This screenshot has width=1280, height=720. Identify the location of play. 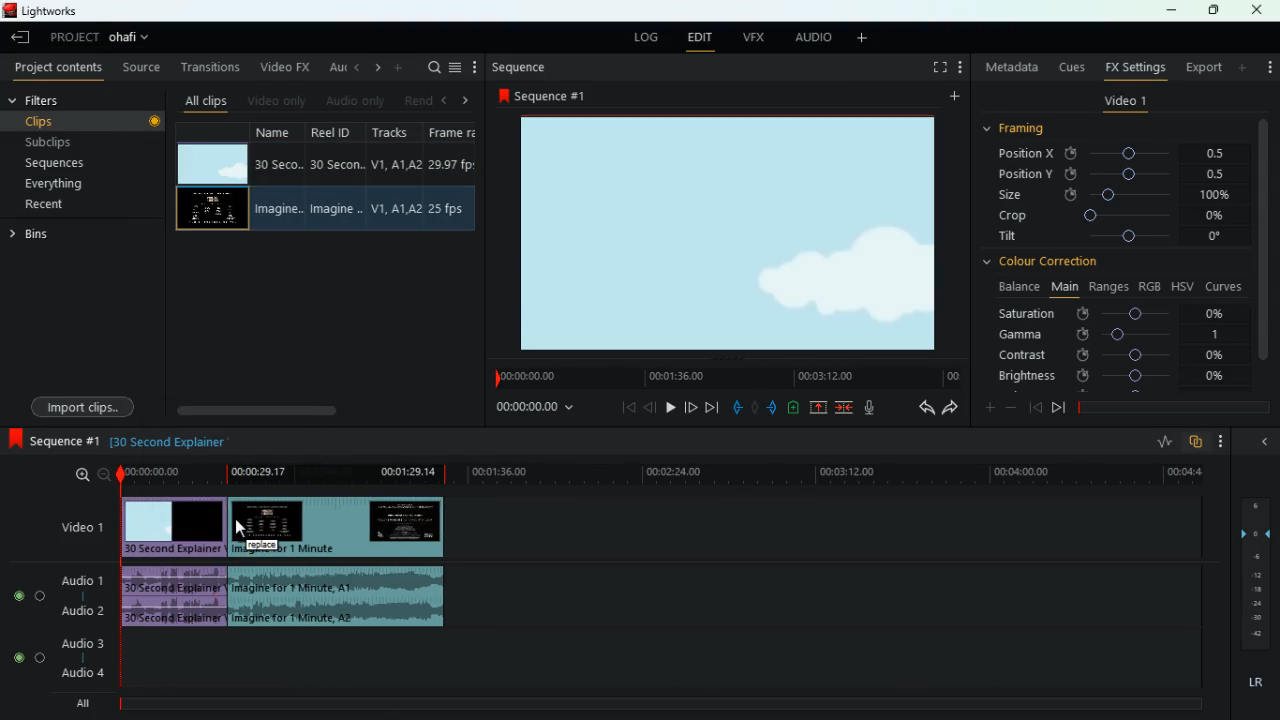
(667, 407).